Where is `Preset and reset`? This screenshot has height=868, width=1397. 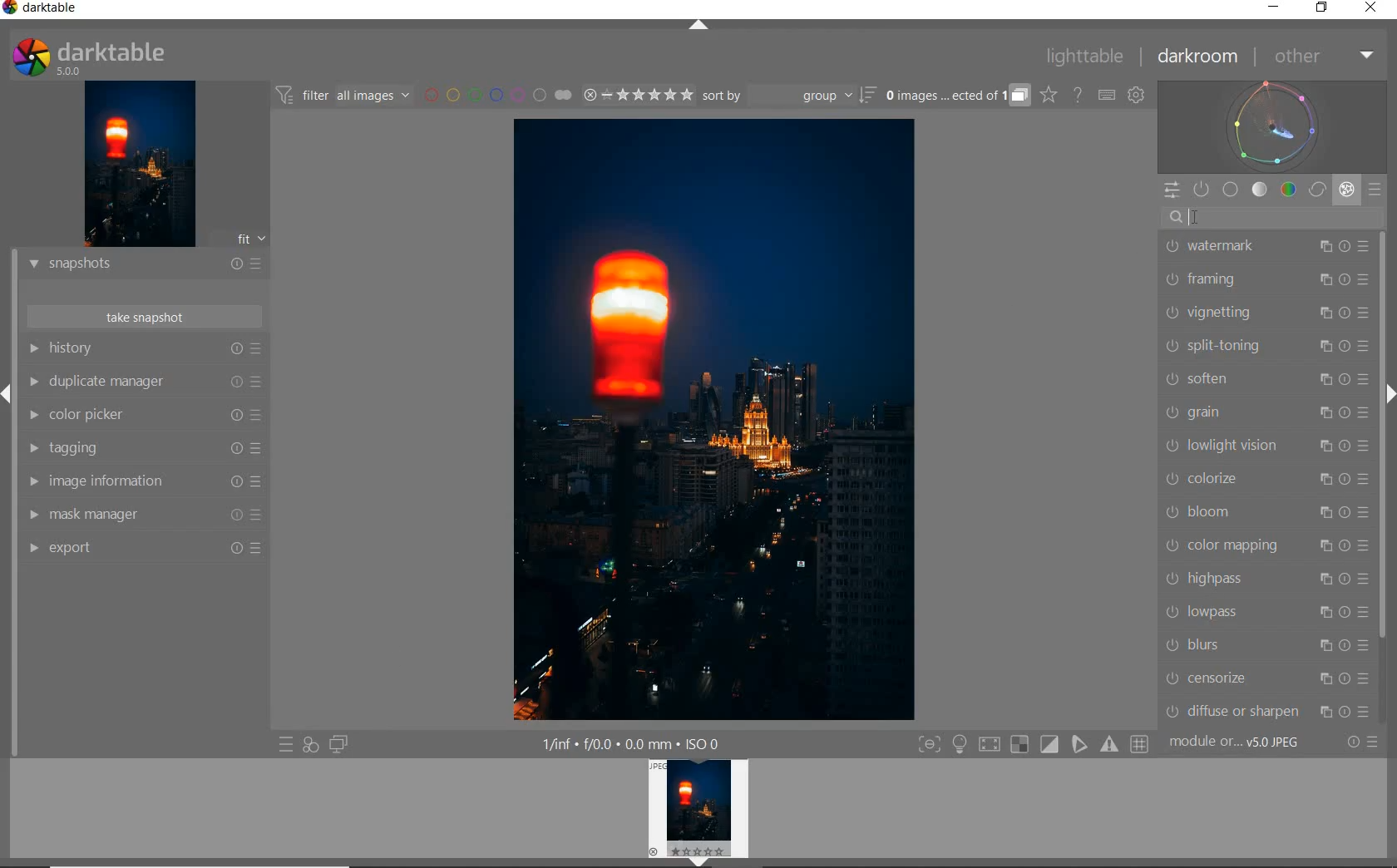
Preset and reset is located at coordinates (1365, 446).